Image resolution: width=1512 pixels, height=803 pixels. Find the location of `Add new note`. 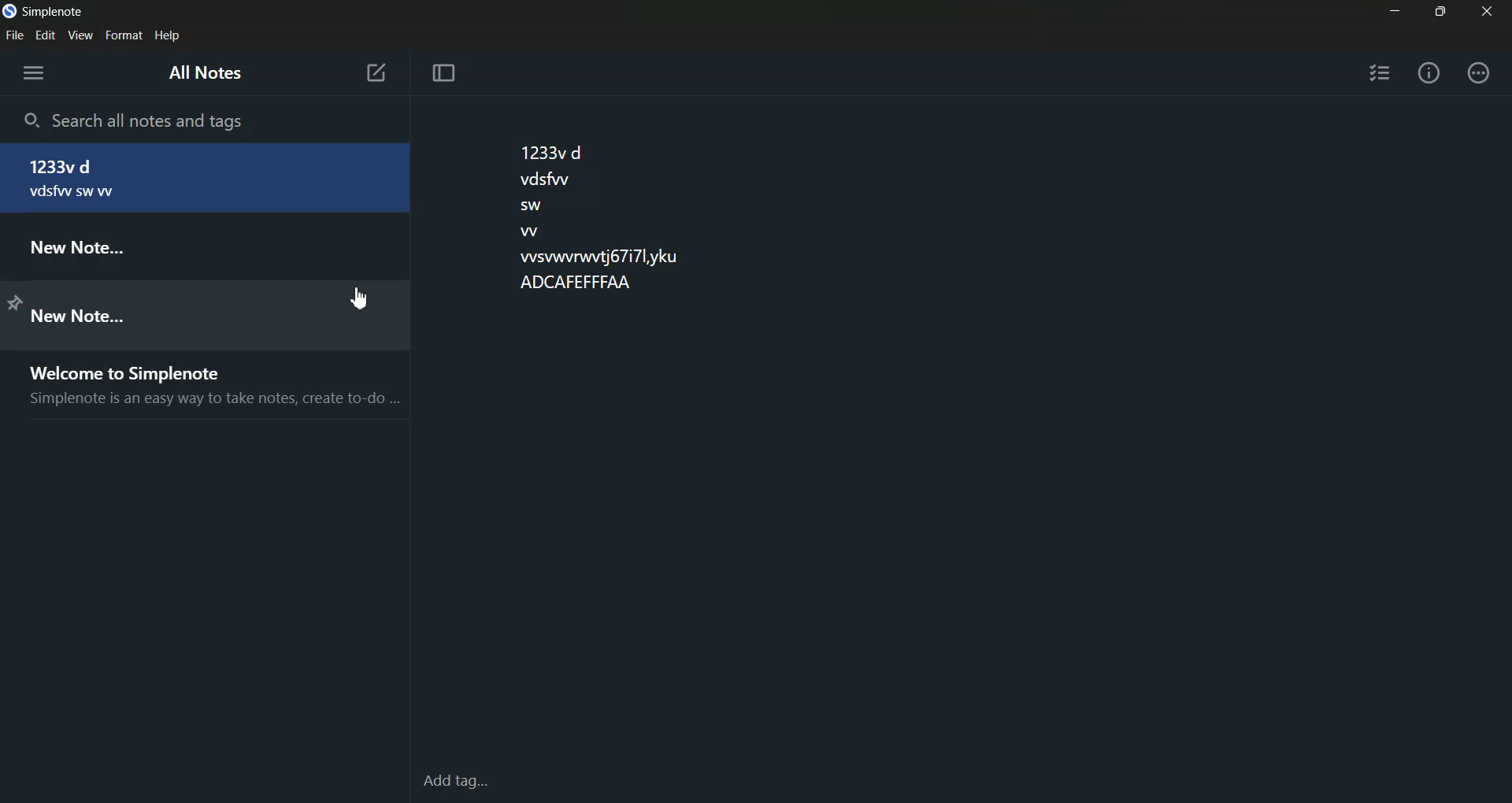

Add new note is located at coordinates (376, 72).